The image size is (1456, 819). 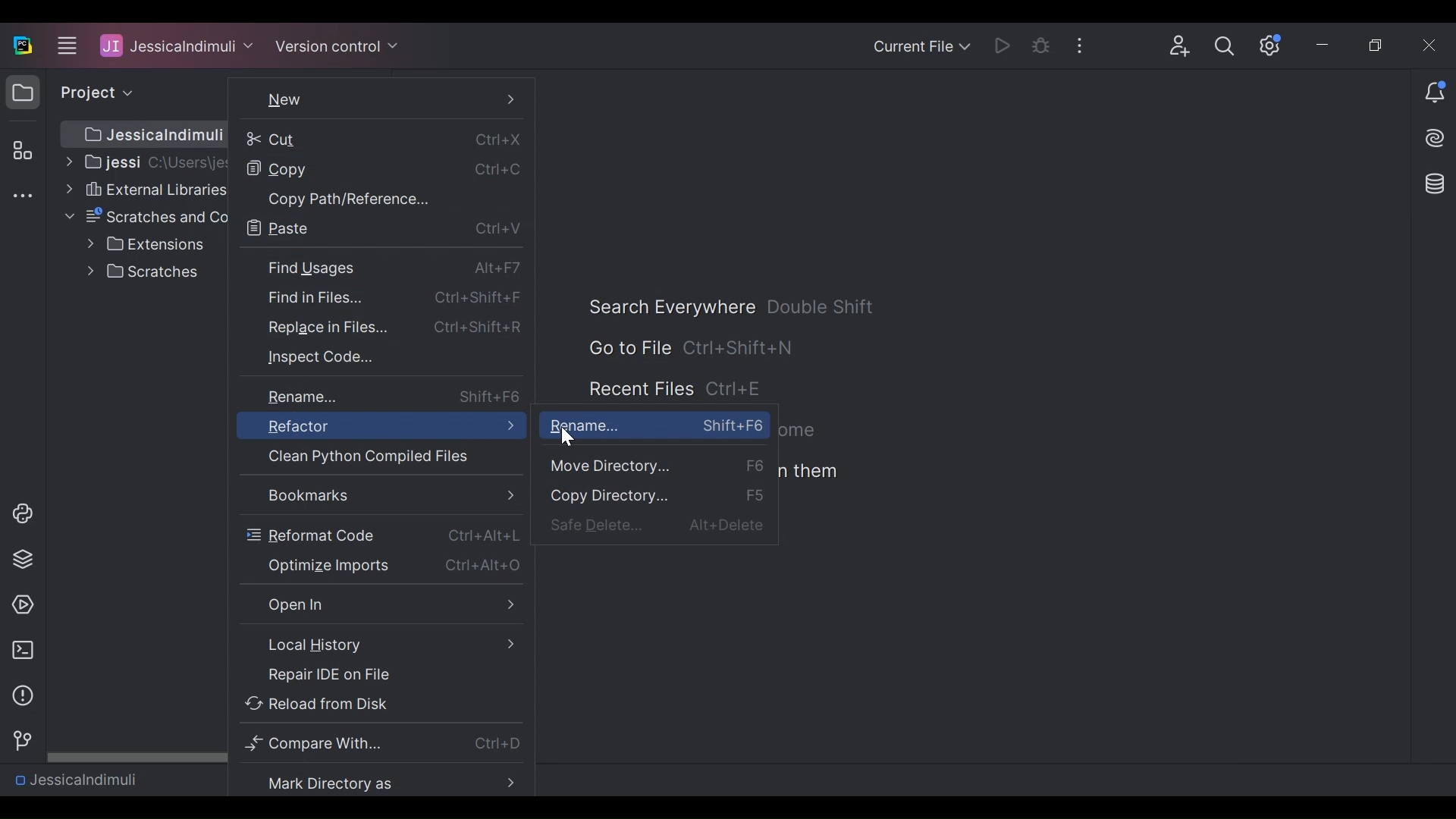 I want to click on Mark Directory as, so click(x=384, y=782).